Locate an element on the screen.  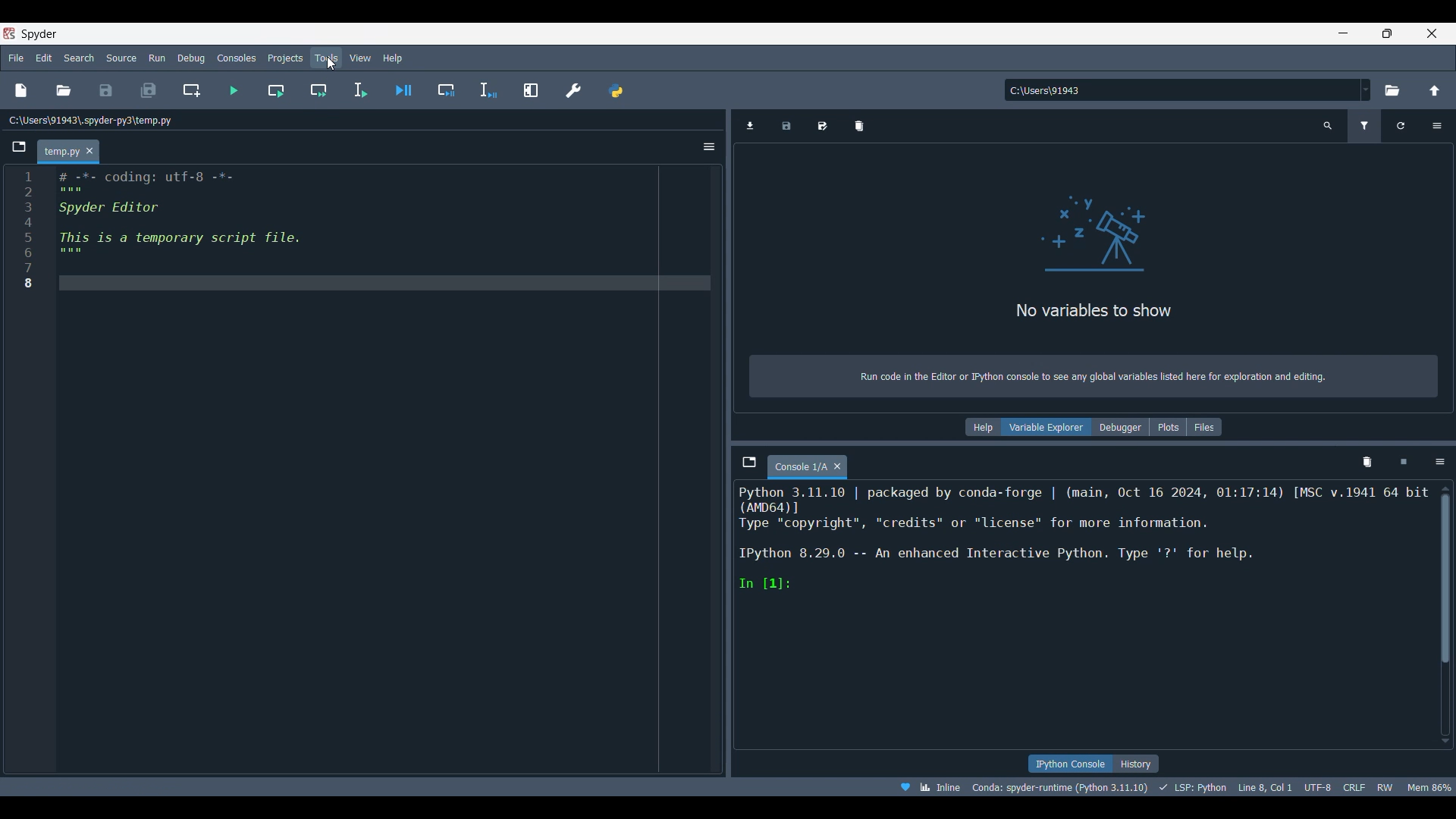
Options is located at coordinates (1440, 462).